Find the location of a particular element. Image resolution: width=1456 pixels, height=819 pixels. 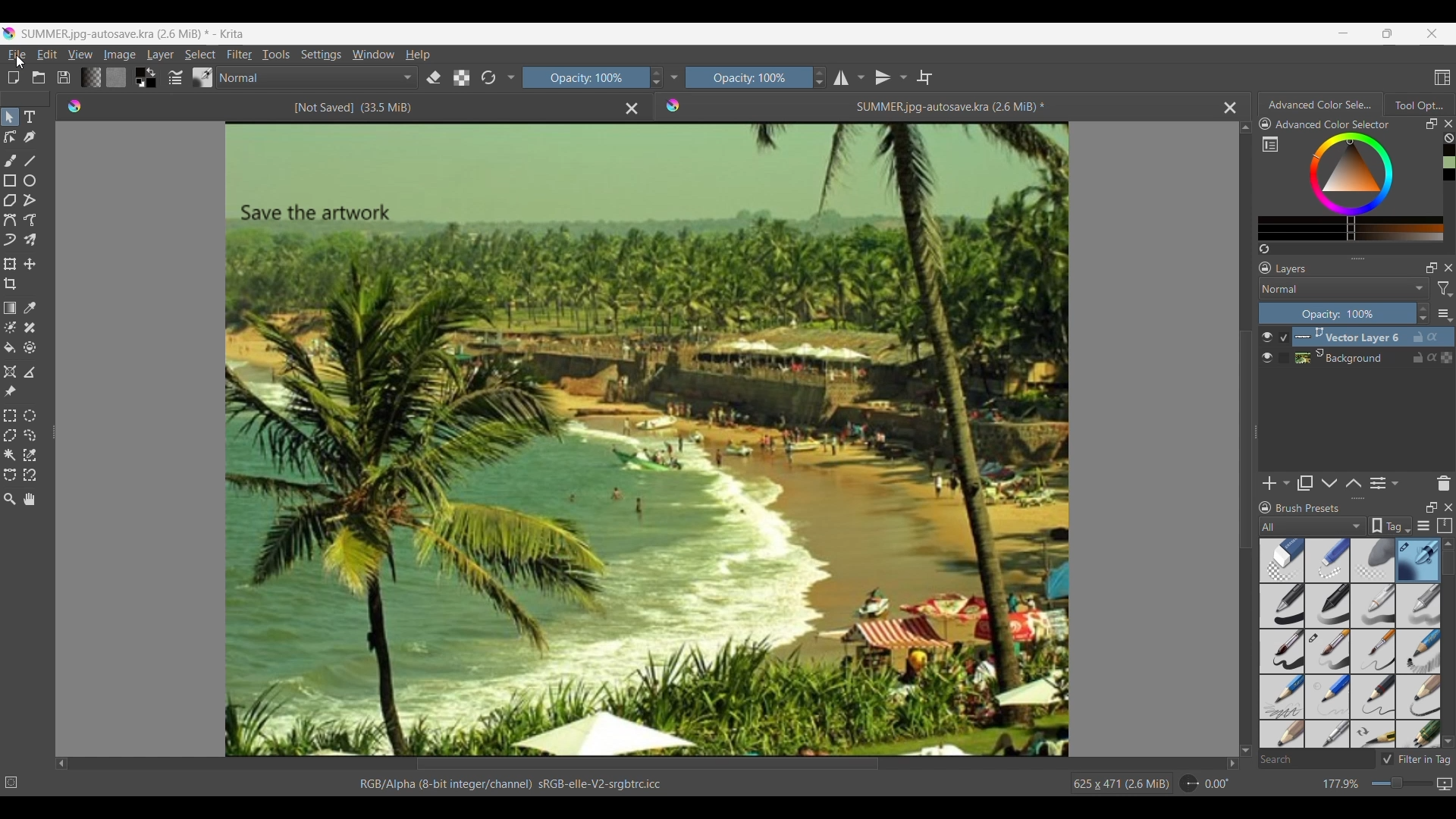

Crop image to an area is located at coordinates (11, 284).